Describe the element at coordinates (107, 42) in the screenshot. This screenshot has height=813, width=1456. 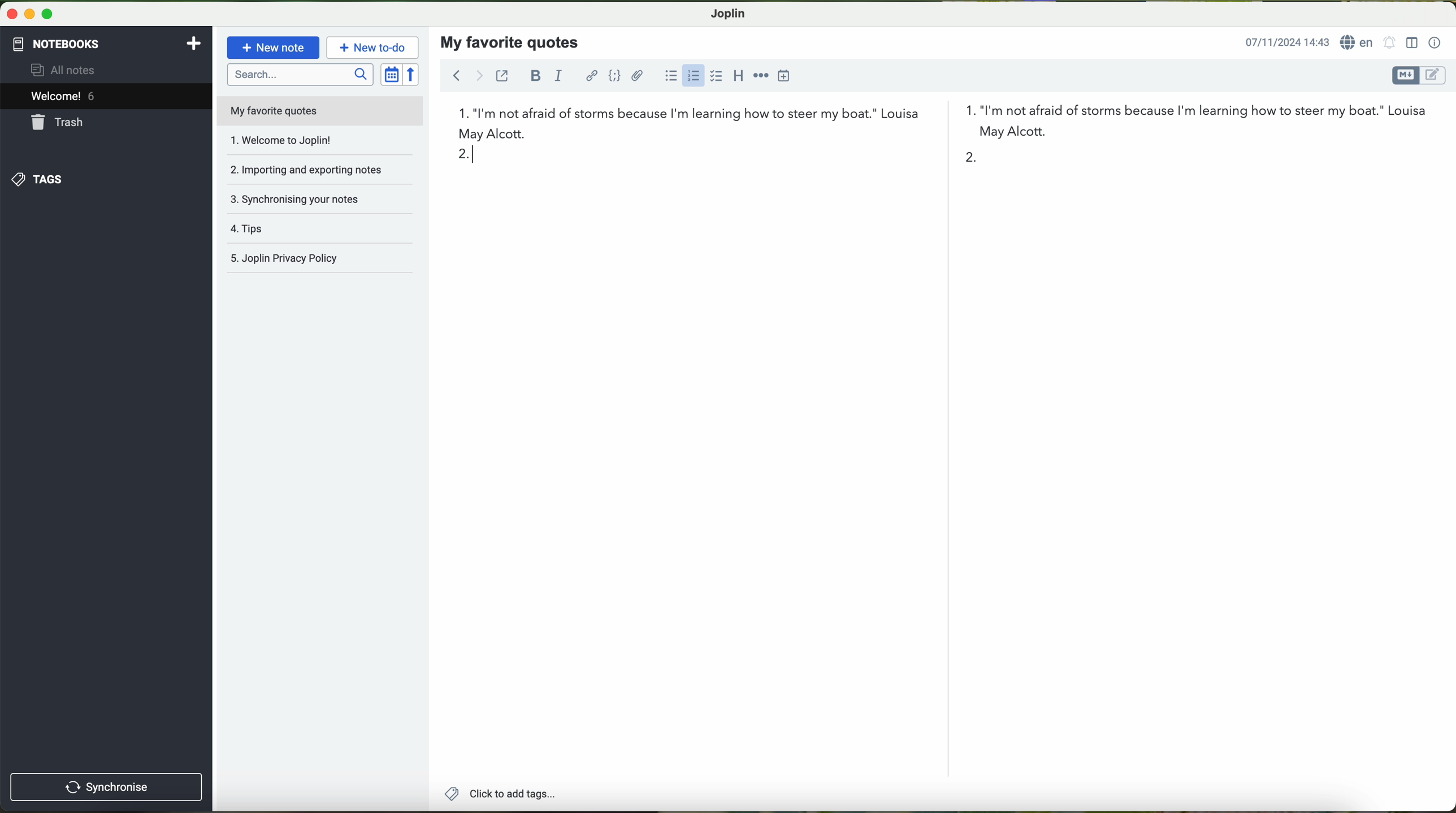
I see `notebooks` at that location.